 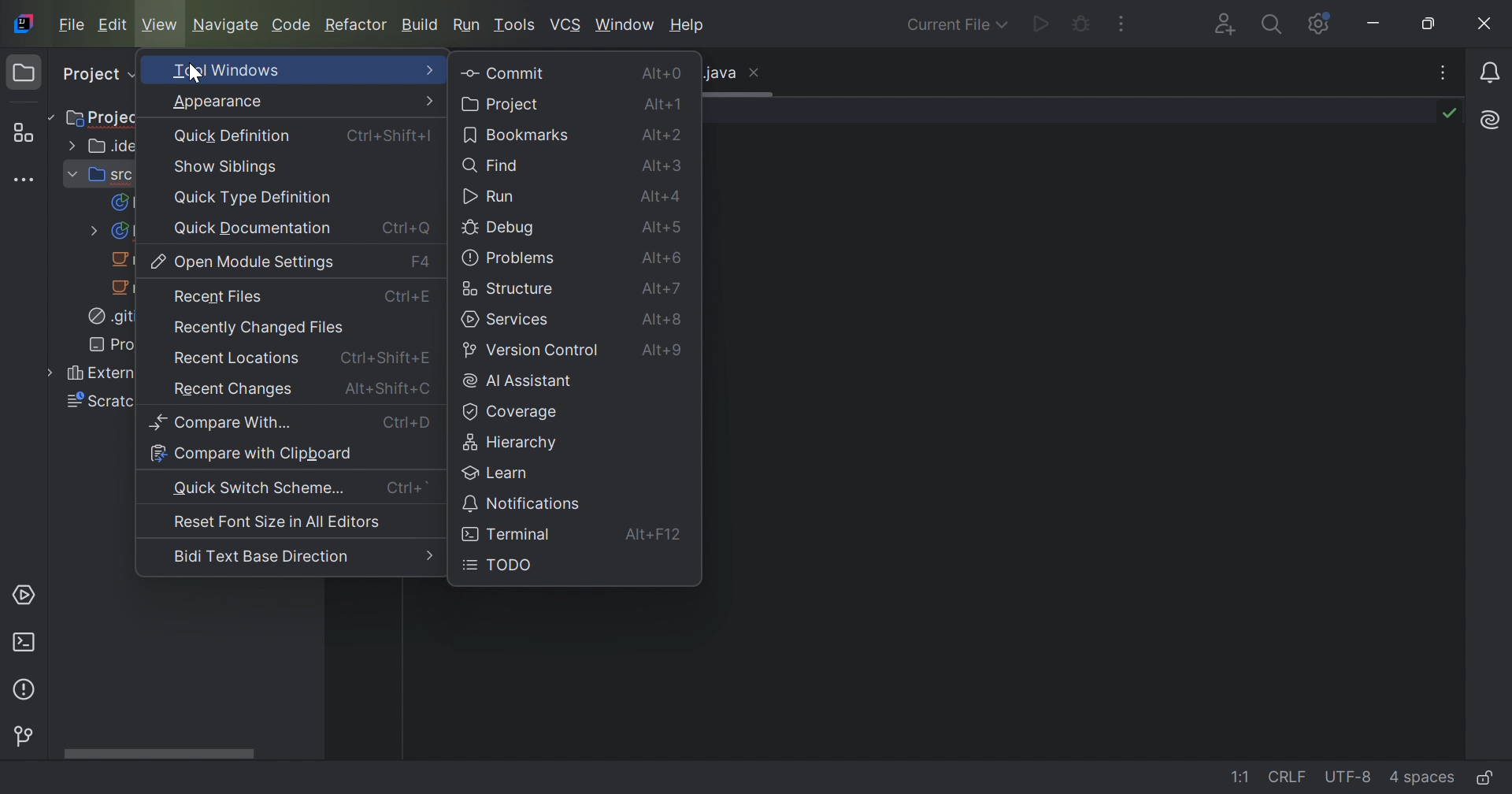 I want to click on Window, so click(x=624, y=28).